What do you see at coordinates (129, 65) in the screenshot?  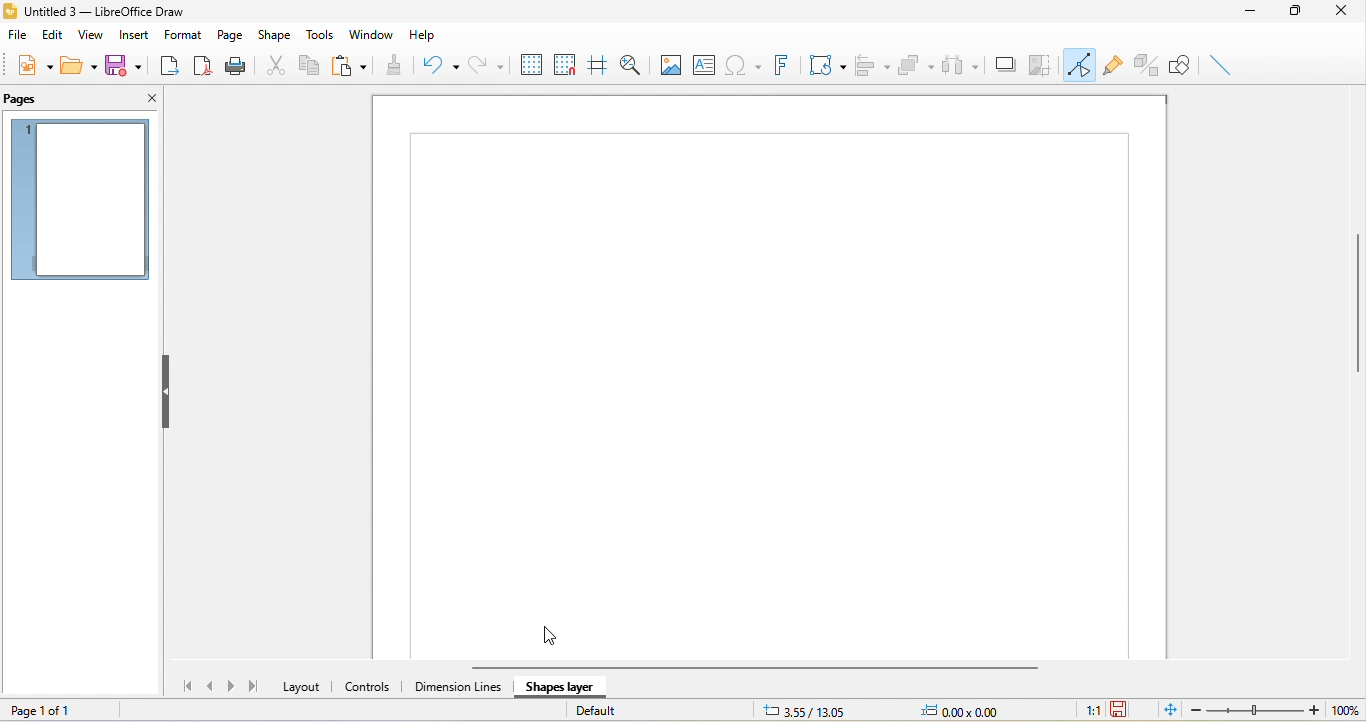 I see `save` at bounding box center [129, 65].